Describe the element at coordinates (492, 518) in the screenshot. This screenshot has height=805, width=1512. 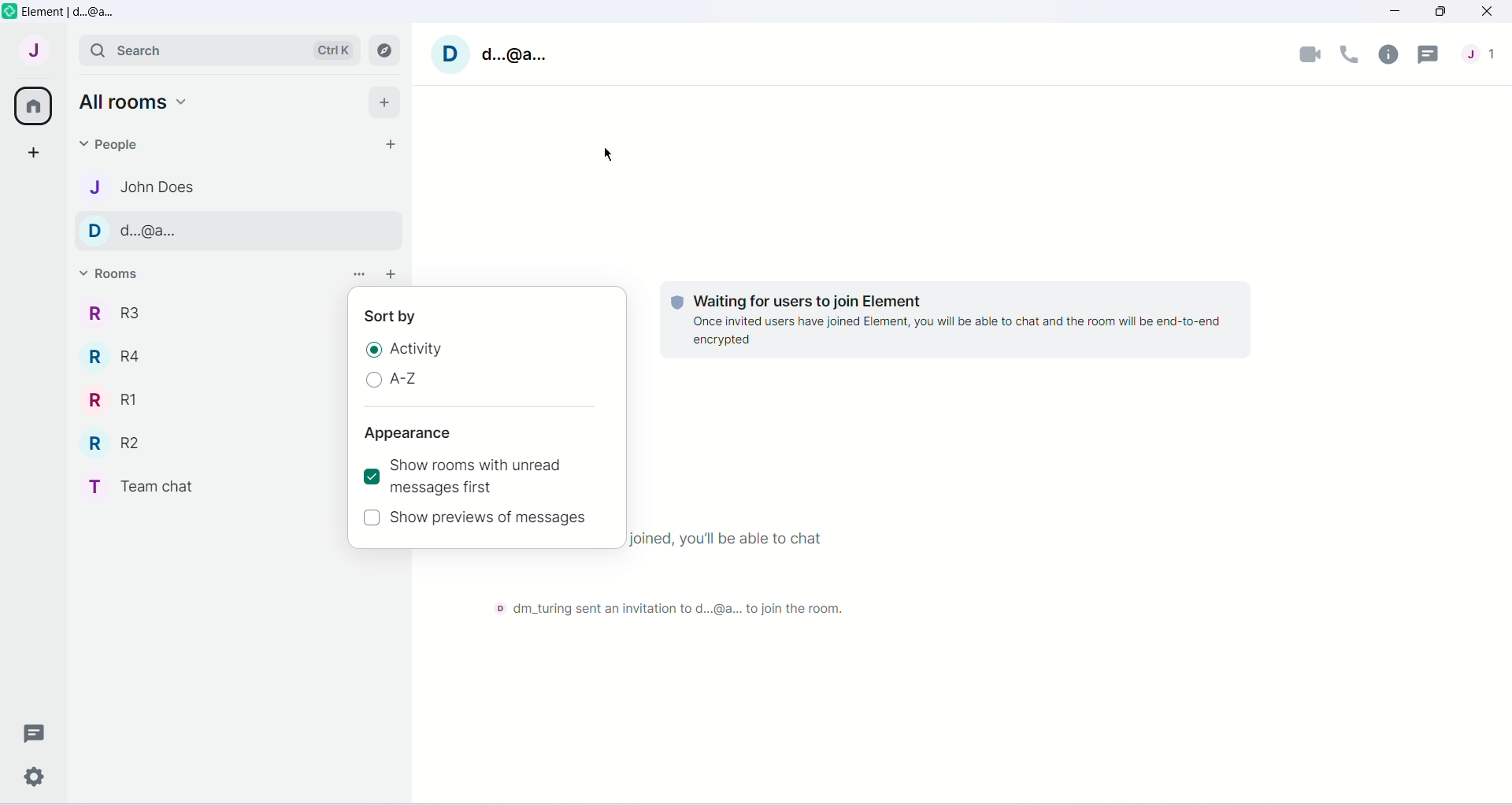
I see `Show preview of messages` at that location.